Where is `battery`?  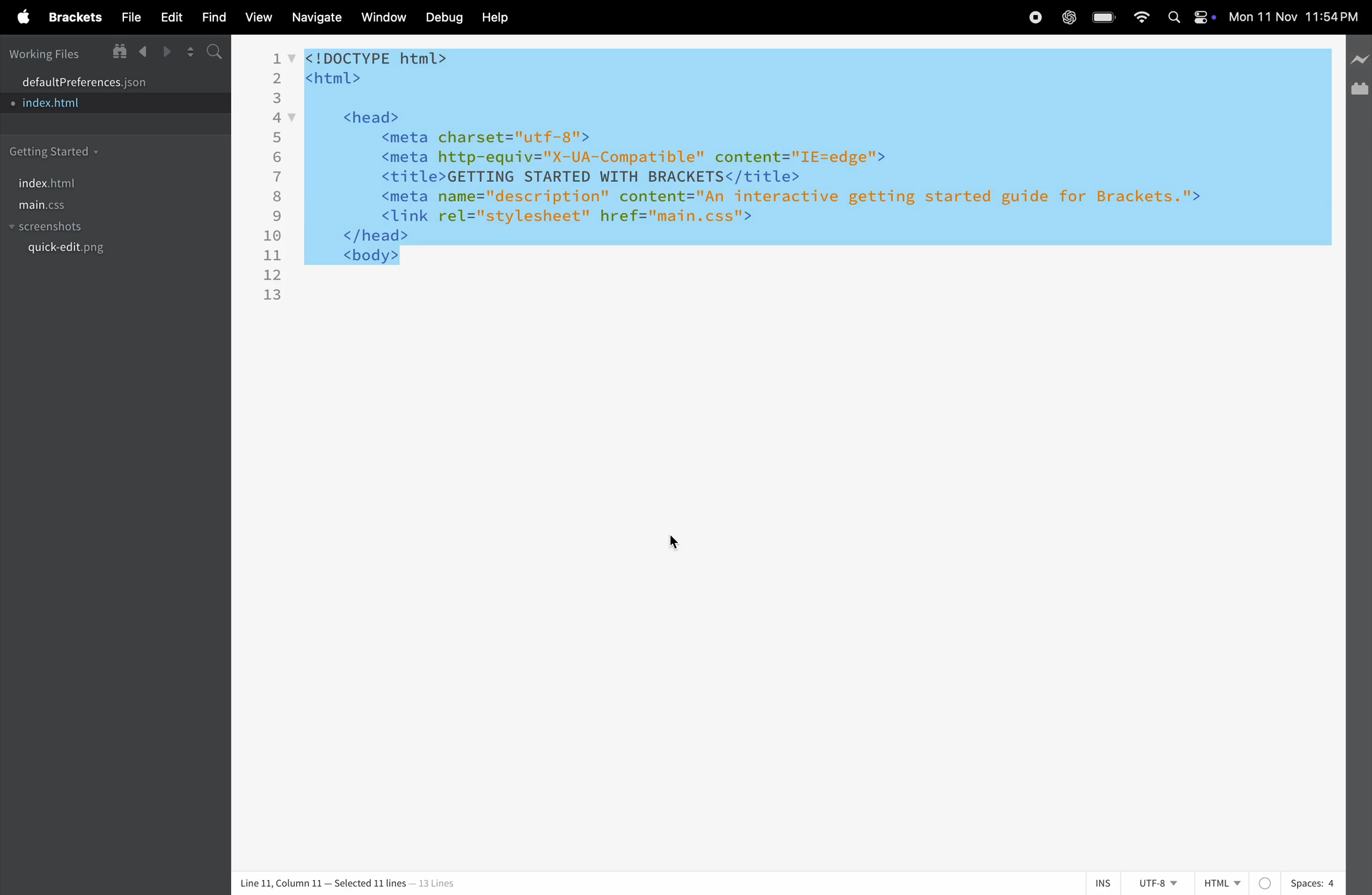 battery is located at coordinates (1107, 17).